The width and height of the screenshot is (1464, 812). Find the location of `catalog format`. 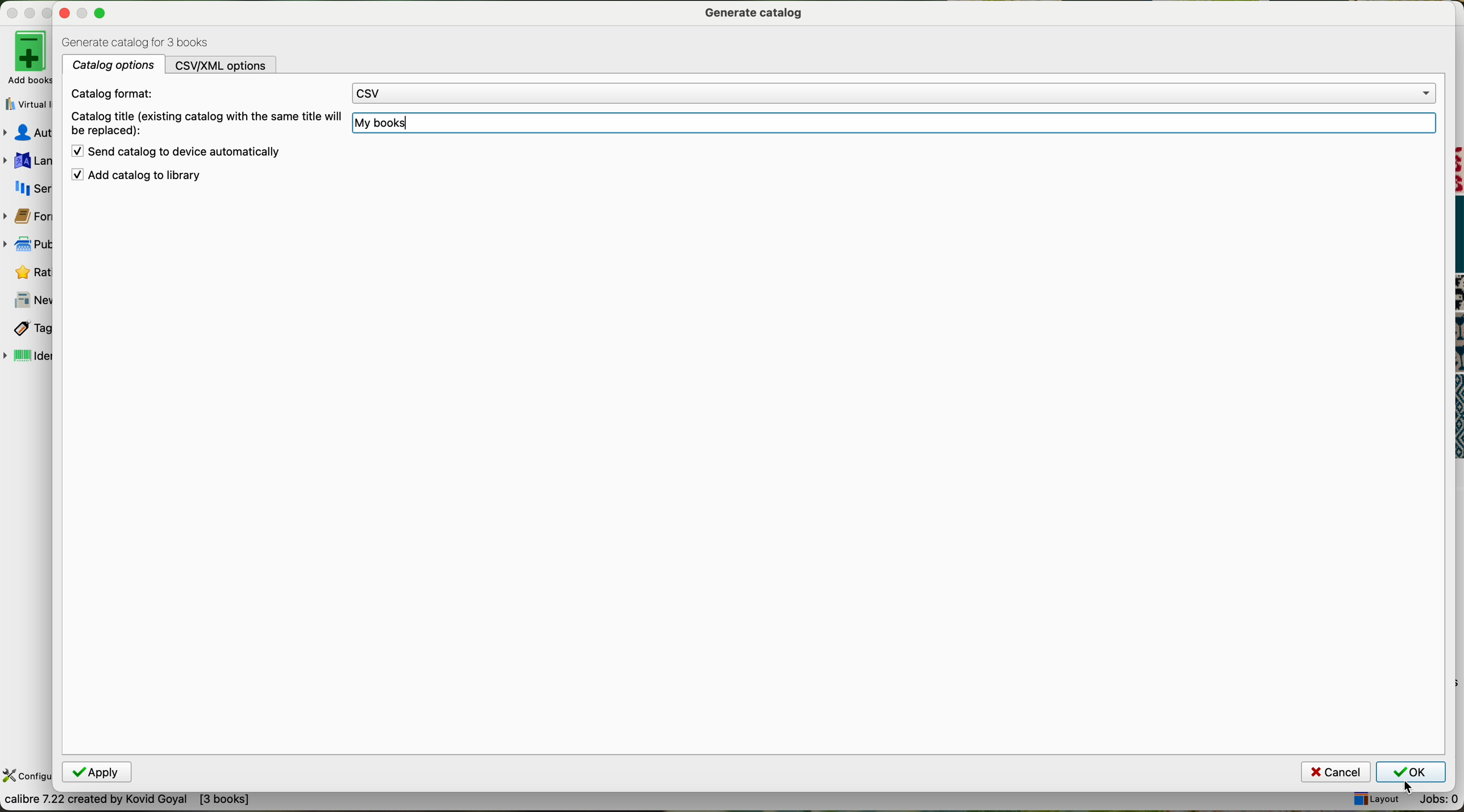

catalog format is located at coordinates (111, 94).